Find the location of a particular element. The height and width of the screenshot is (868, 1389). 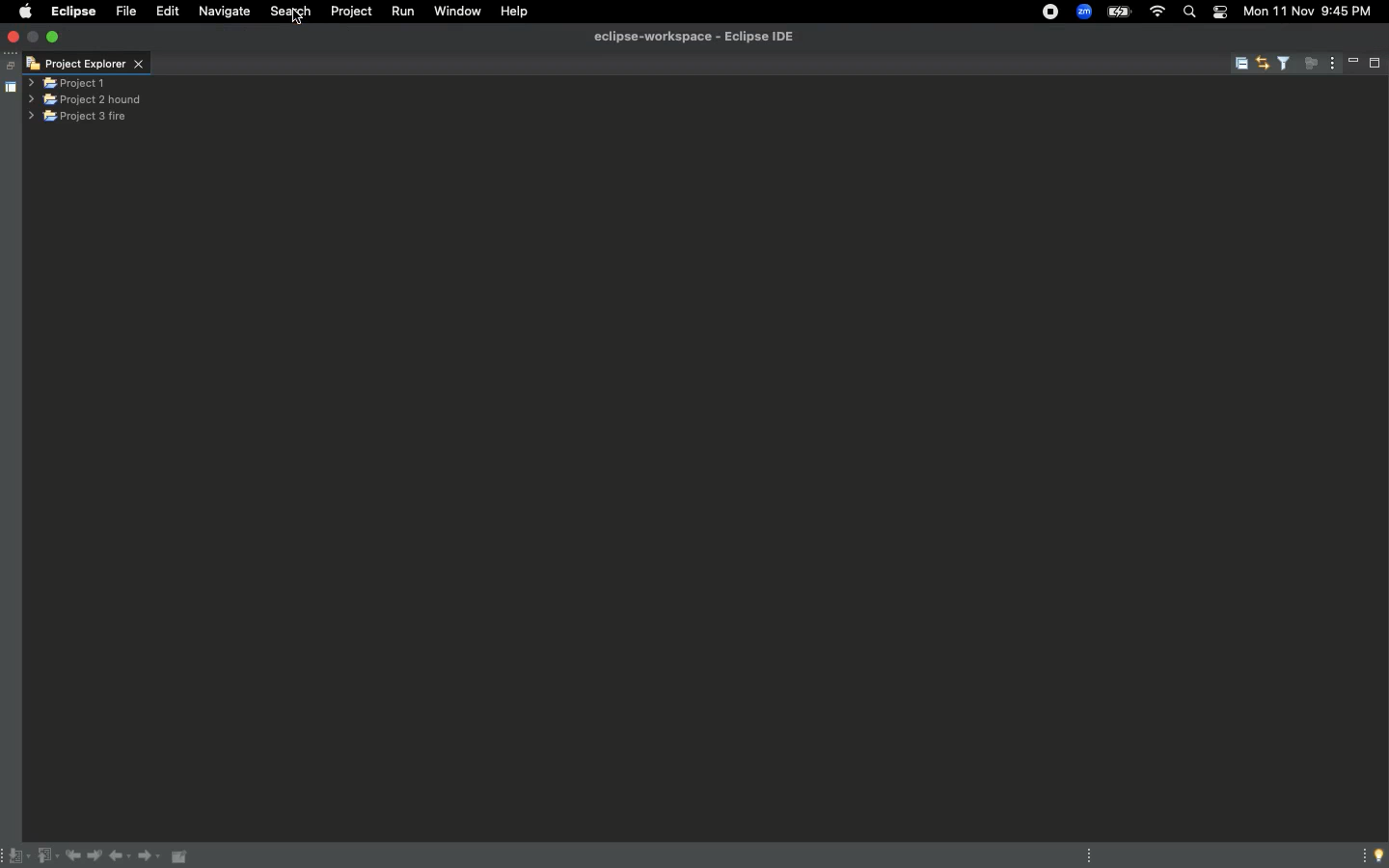

Shared area is located at coordinates (8, 86).